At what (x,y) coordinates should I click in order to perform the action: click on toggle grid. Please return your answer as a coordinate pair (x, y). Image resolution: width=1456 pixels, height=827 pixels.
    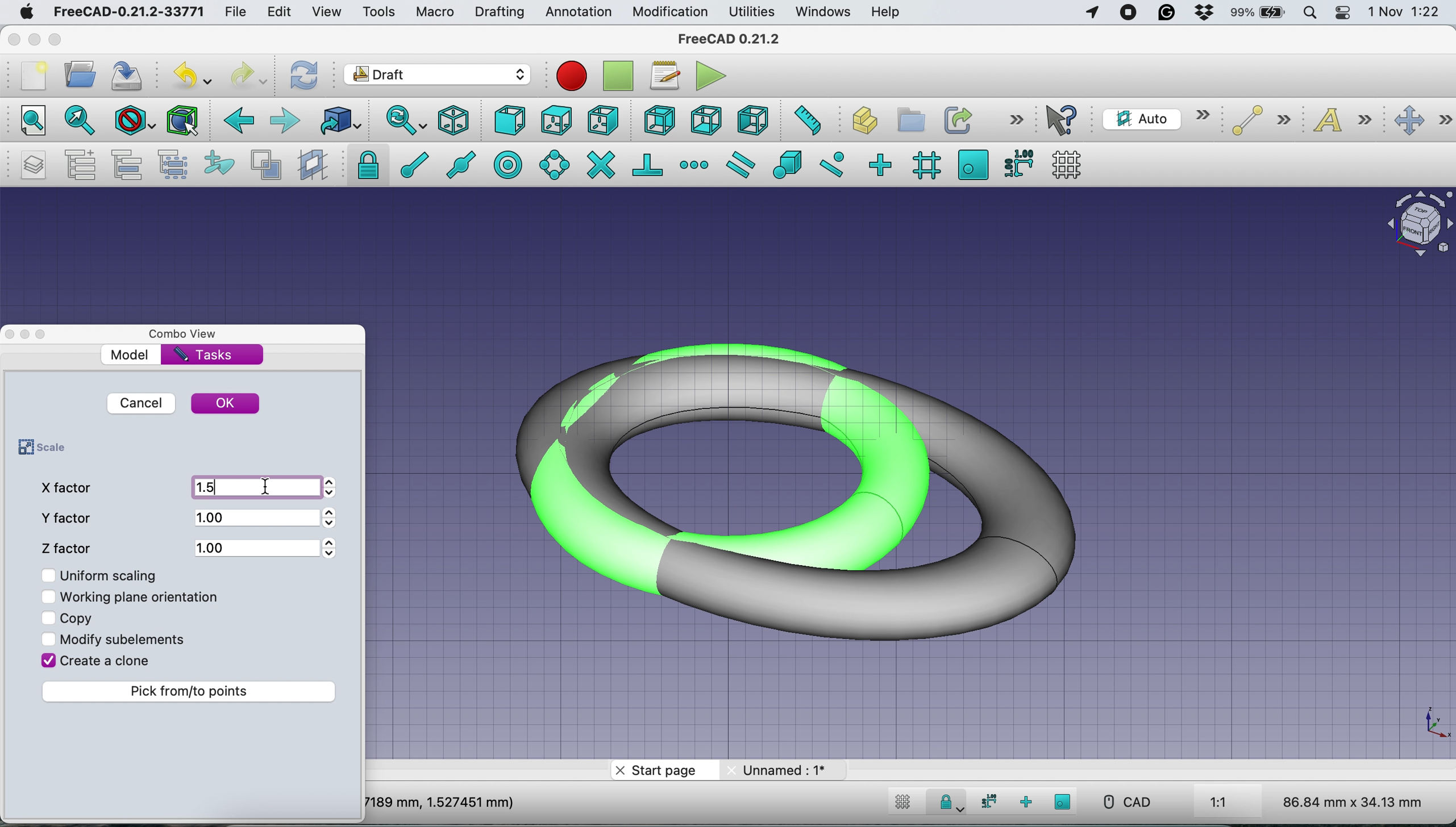
    Looking at the image, I should click on (903, 804).